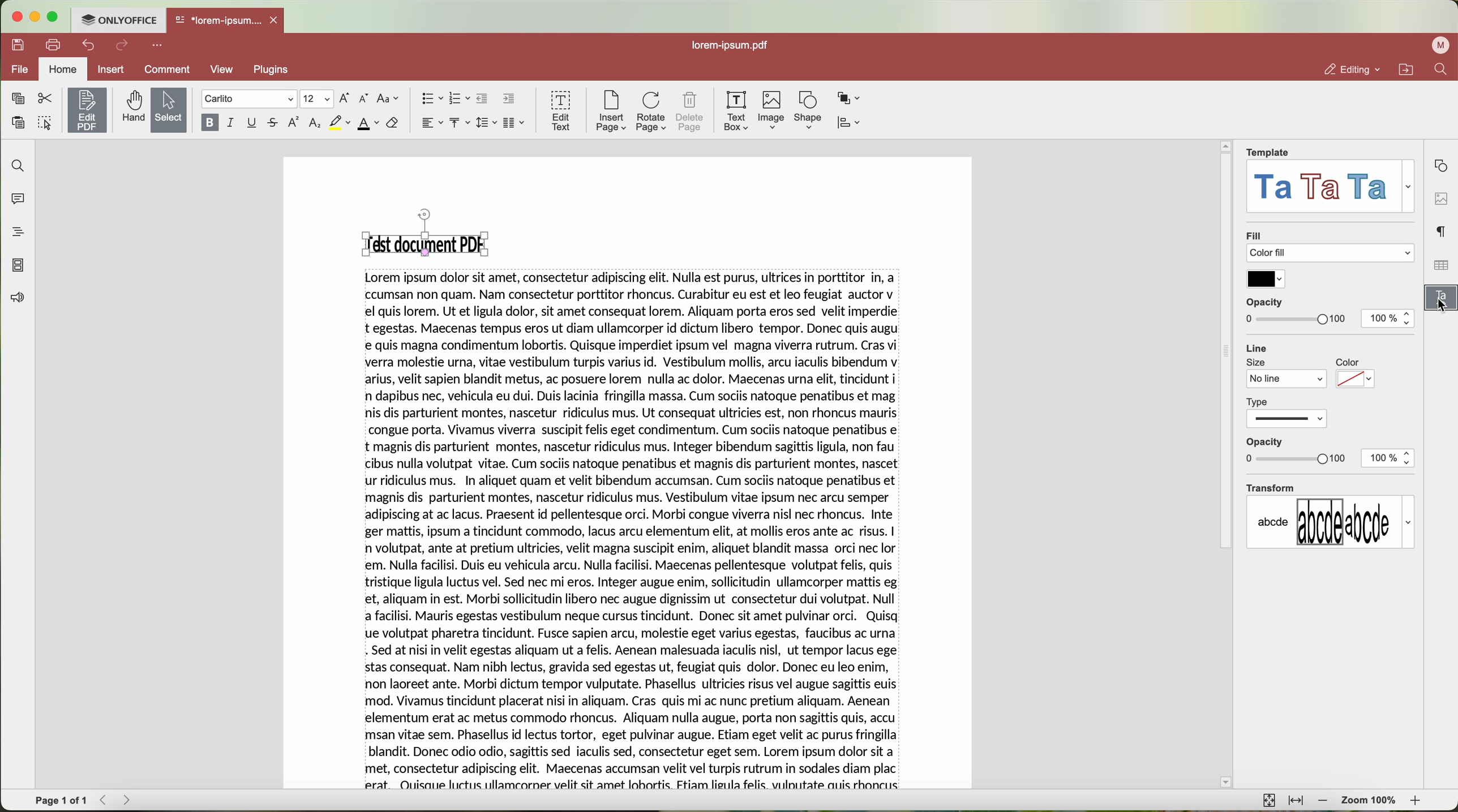 The width and height of the screenshot is (1458, 812). What do you see at coordinates (15, 299) in the screenshot?
I see `feedback & support` at bounding box center [15, 299].